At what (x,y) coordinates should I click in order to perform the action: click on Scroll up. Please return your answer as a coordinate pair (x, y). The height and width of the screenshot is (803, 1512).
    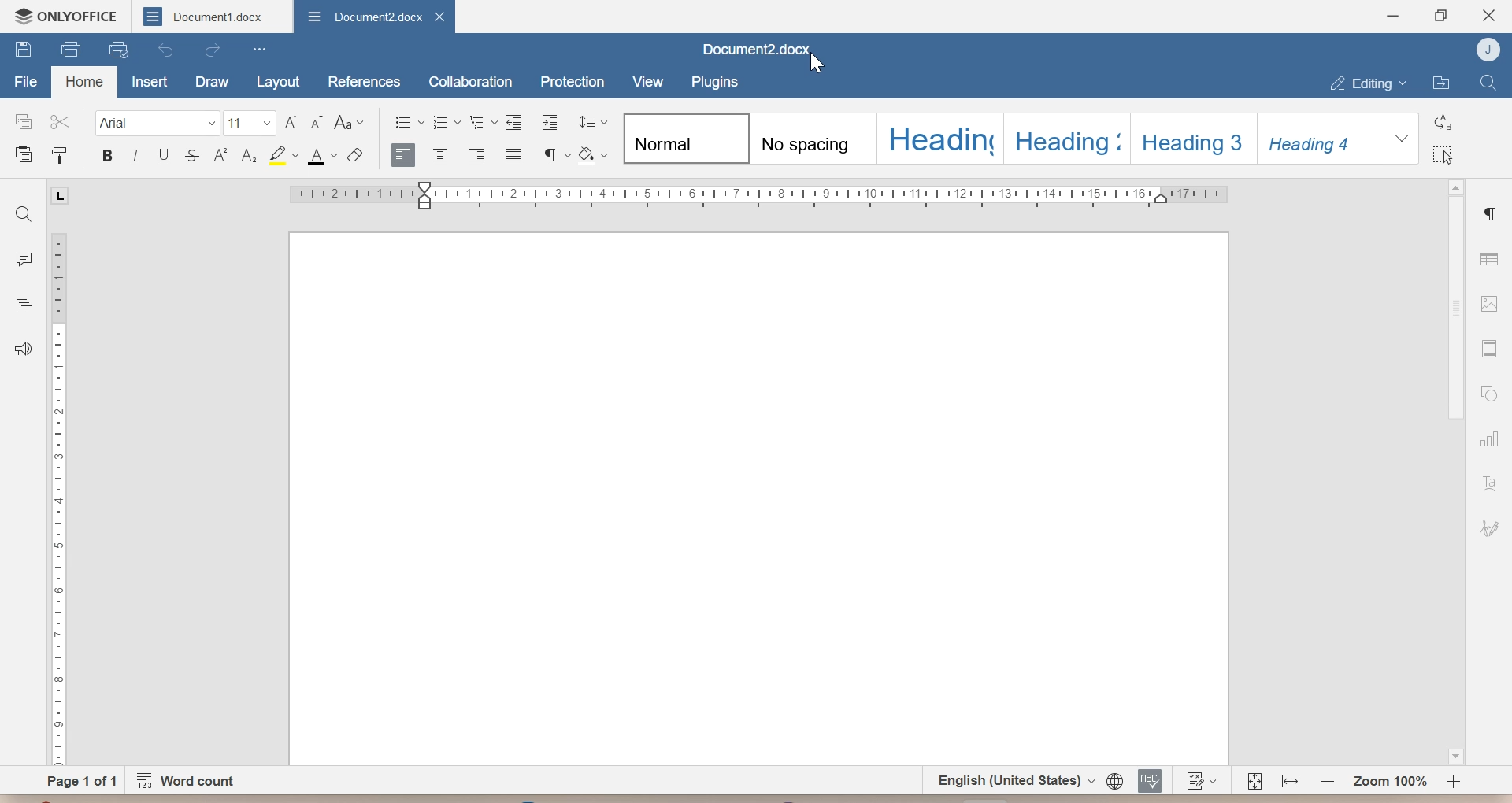
    Looking at the image, I should click on (1455, 186).